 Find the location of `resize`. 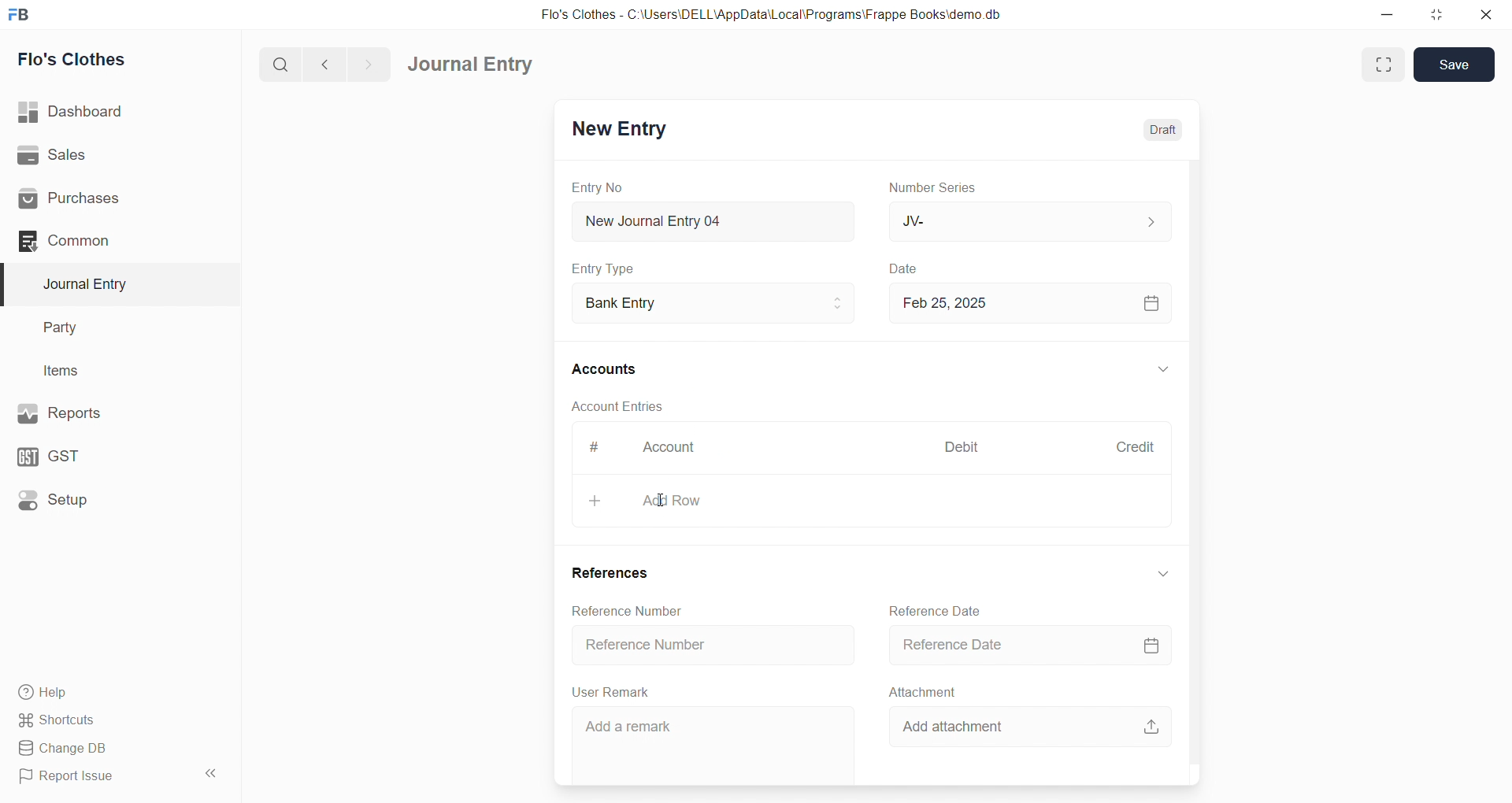

resize is located at coordinates (1436, 14).